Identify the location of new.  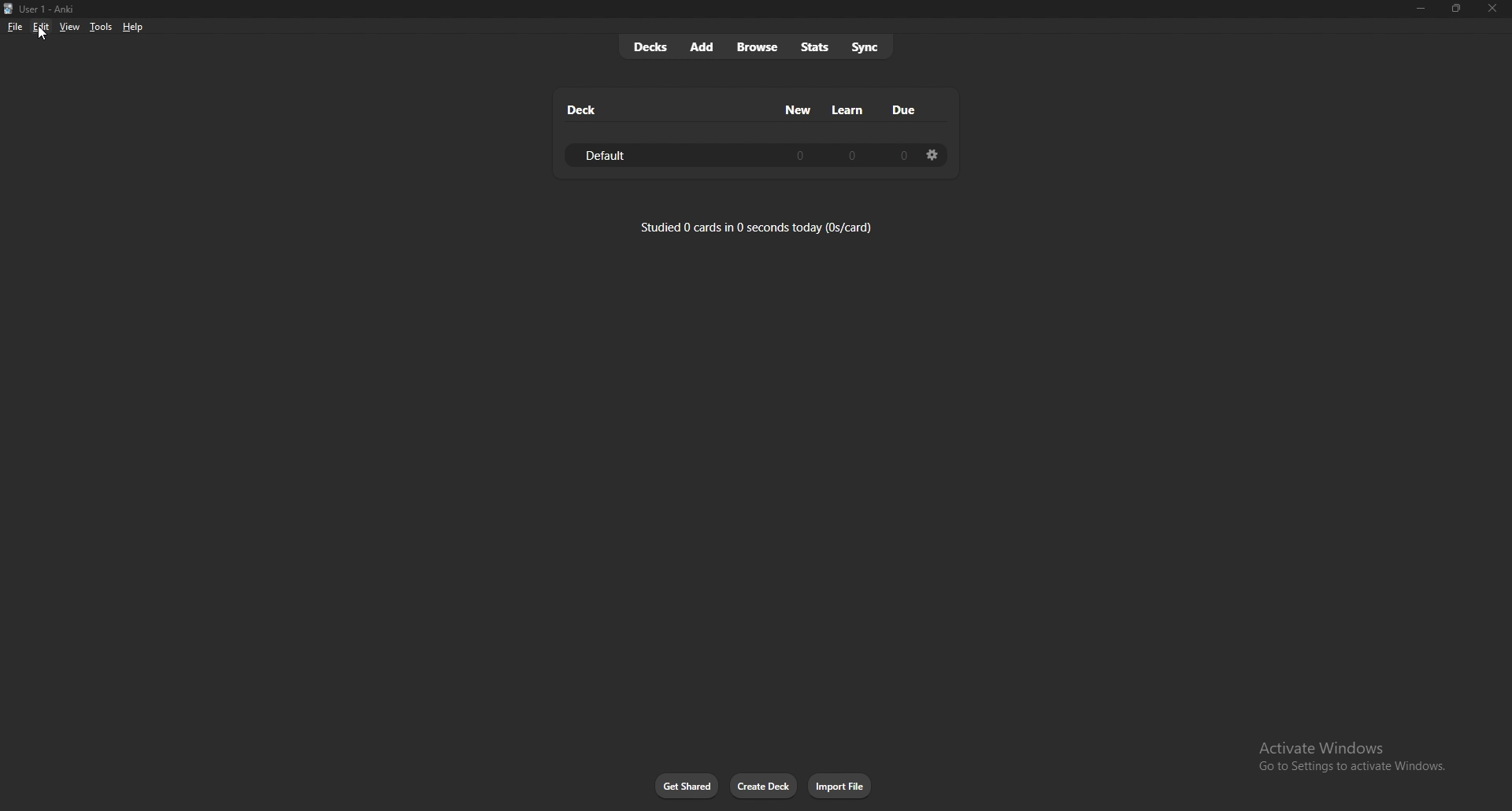
(799, 110).